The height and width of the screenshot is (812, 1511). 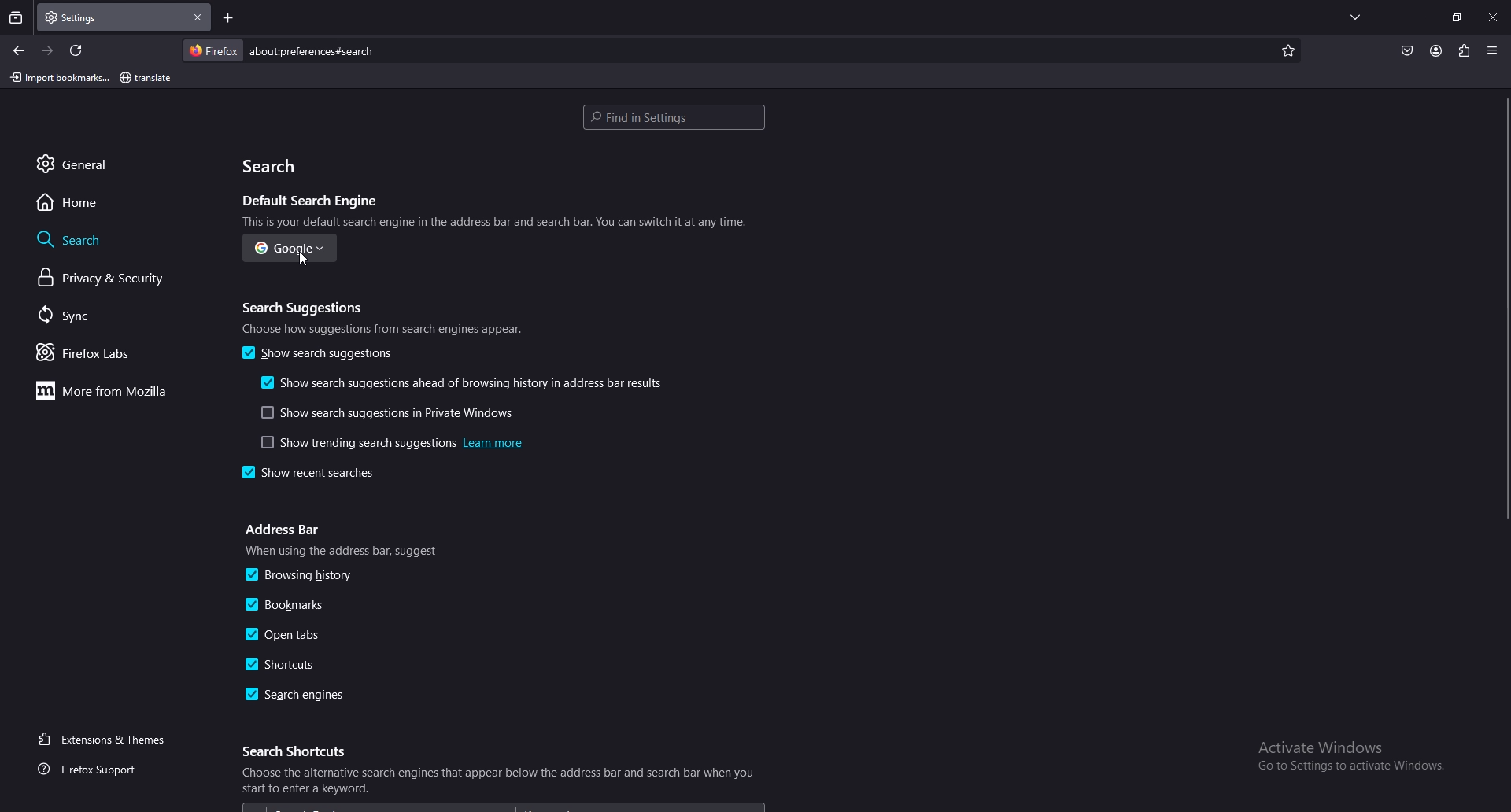 I want to click on search engines, so click(x=298, y=696).